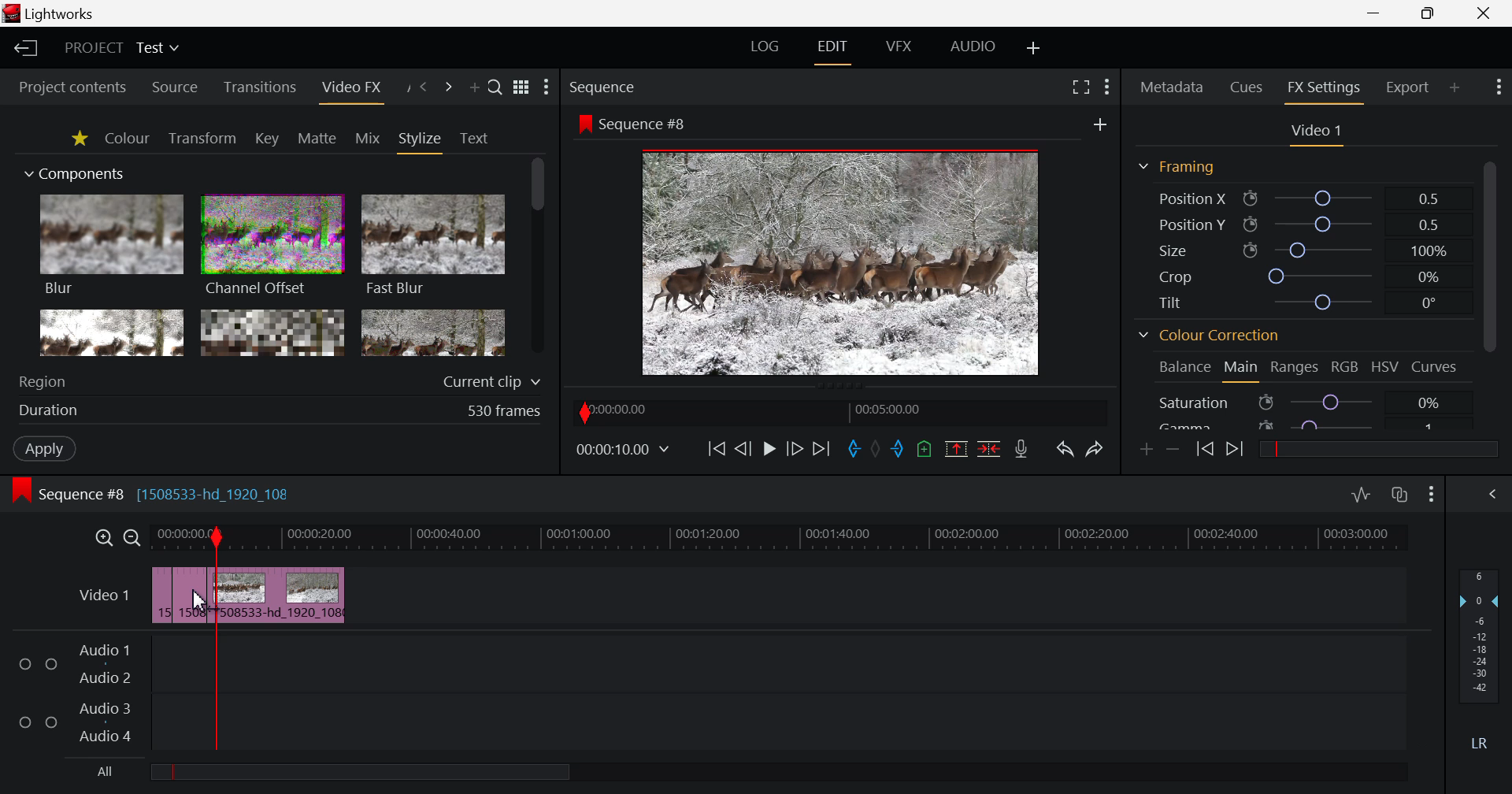 The image size is (1512, 794). Describe the element at coordinates (1093, 451) in the screenshot. I see `Redo` at that location.